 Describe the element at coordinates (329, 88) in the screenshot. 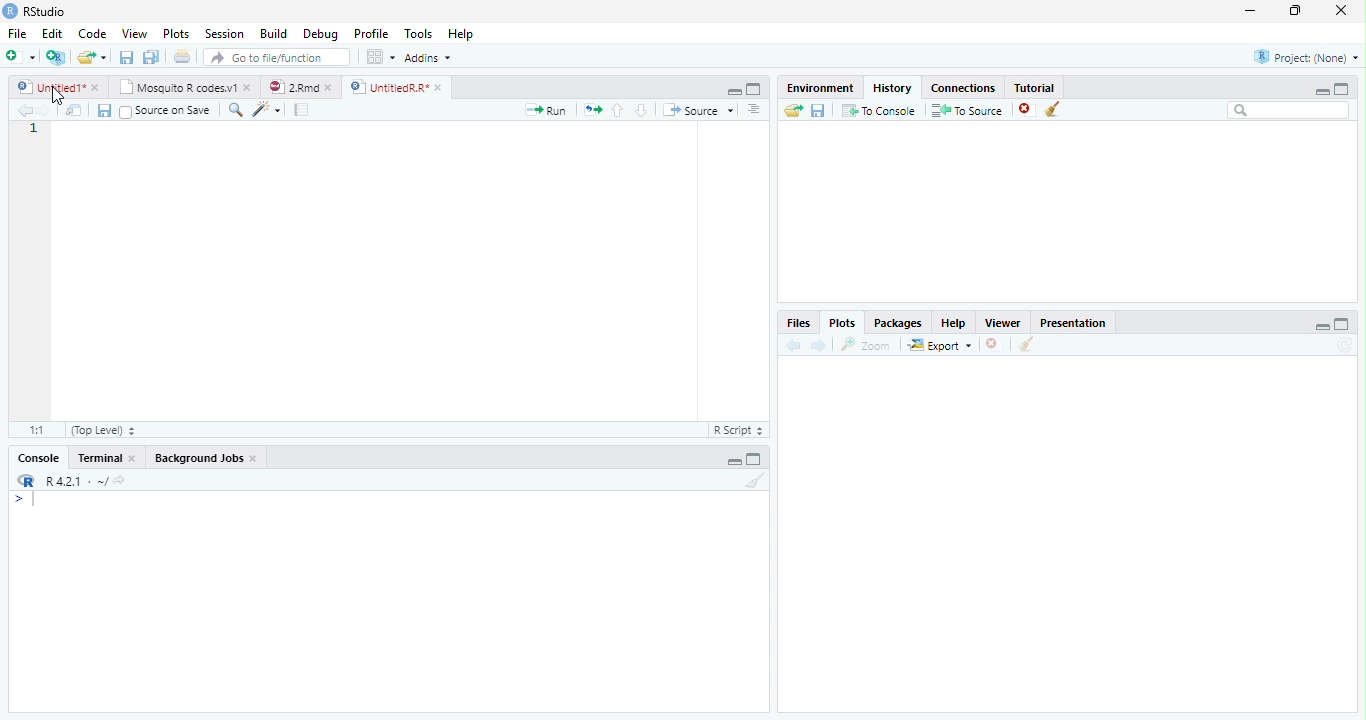

I see `close` at that location.